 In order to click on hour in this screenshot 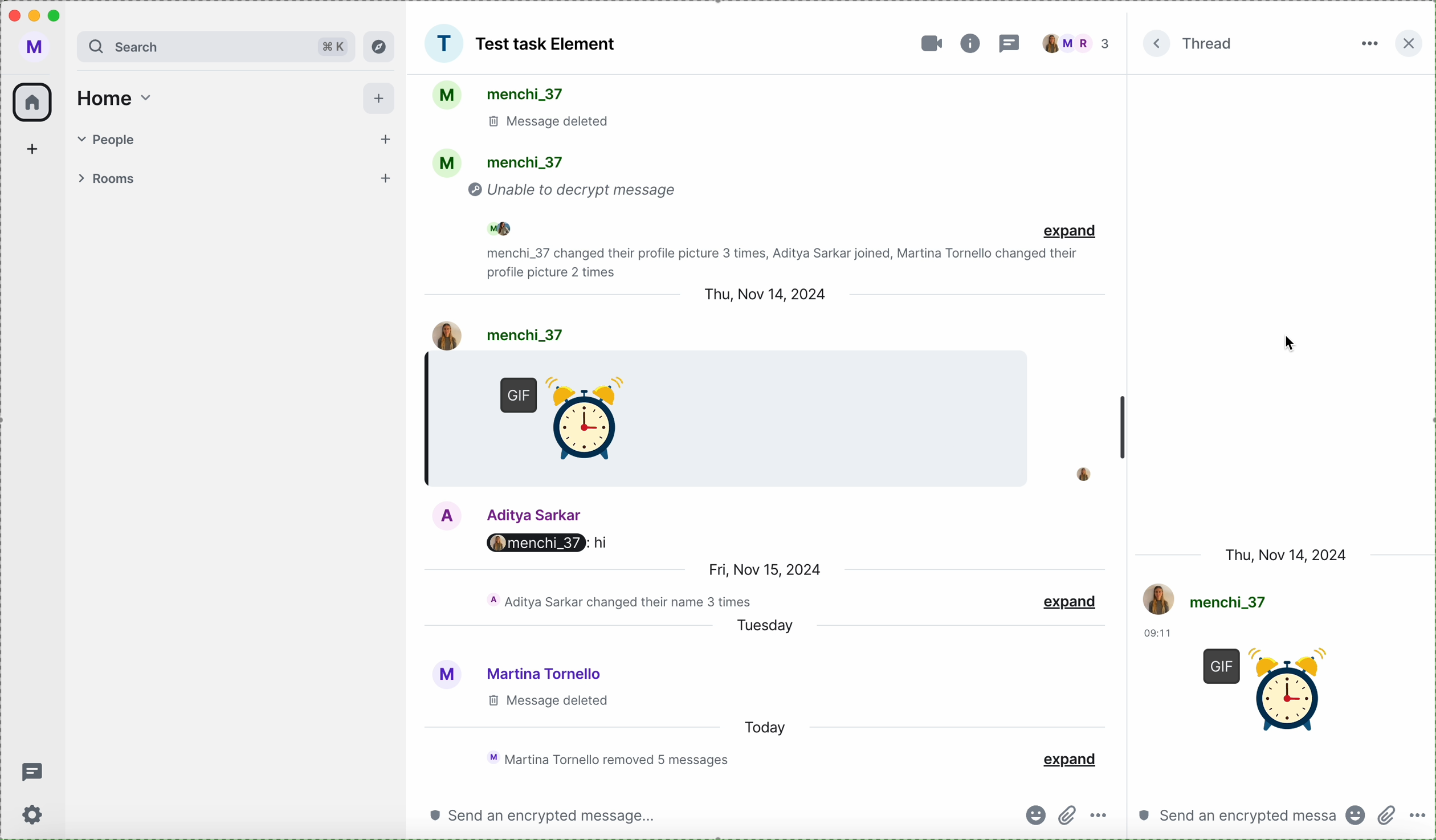, I will do `click(1158, 634)`.